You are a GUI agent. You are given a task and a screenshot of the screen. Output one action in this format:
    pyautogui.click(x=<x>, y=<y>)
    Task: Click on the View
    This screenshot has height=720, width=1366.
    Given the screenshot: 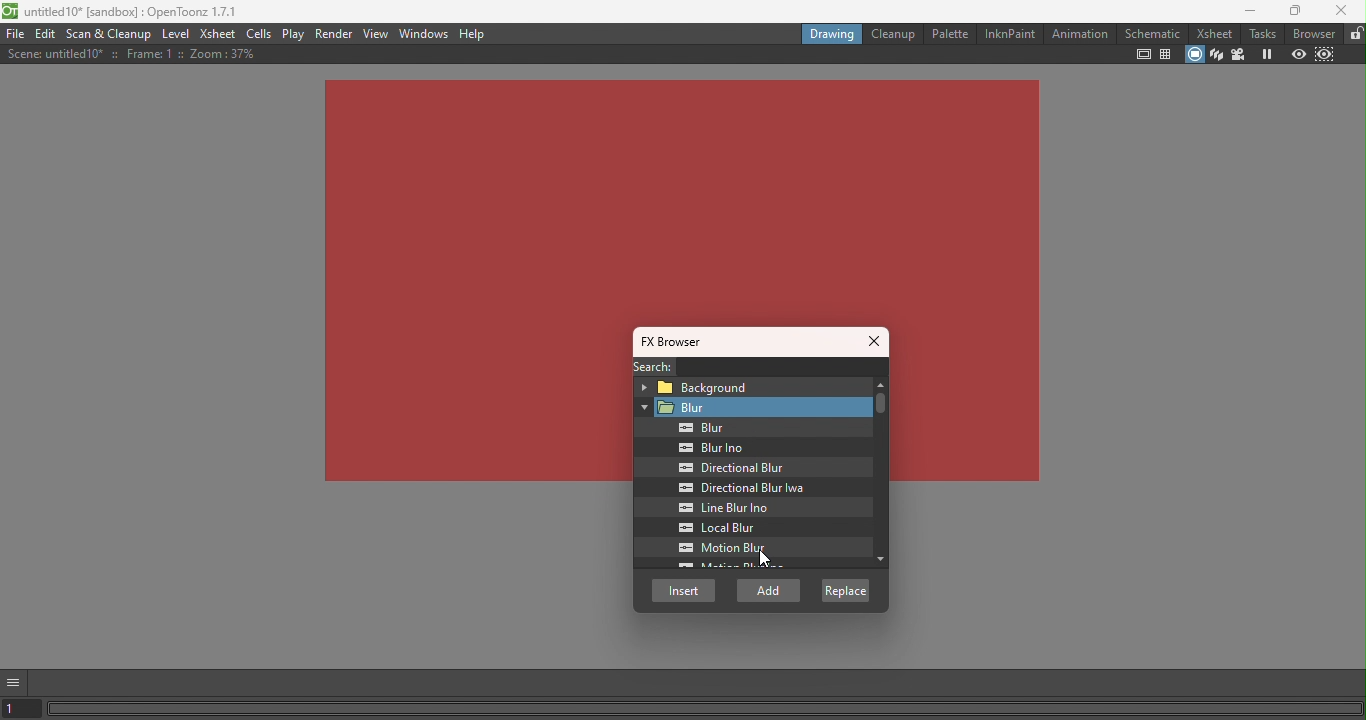 What is the action you would take?
    pyautogui.click(x=378, y=32)
    